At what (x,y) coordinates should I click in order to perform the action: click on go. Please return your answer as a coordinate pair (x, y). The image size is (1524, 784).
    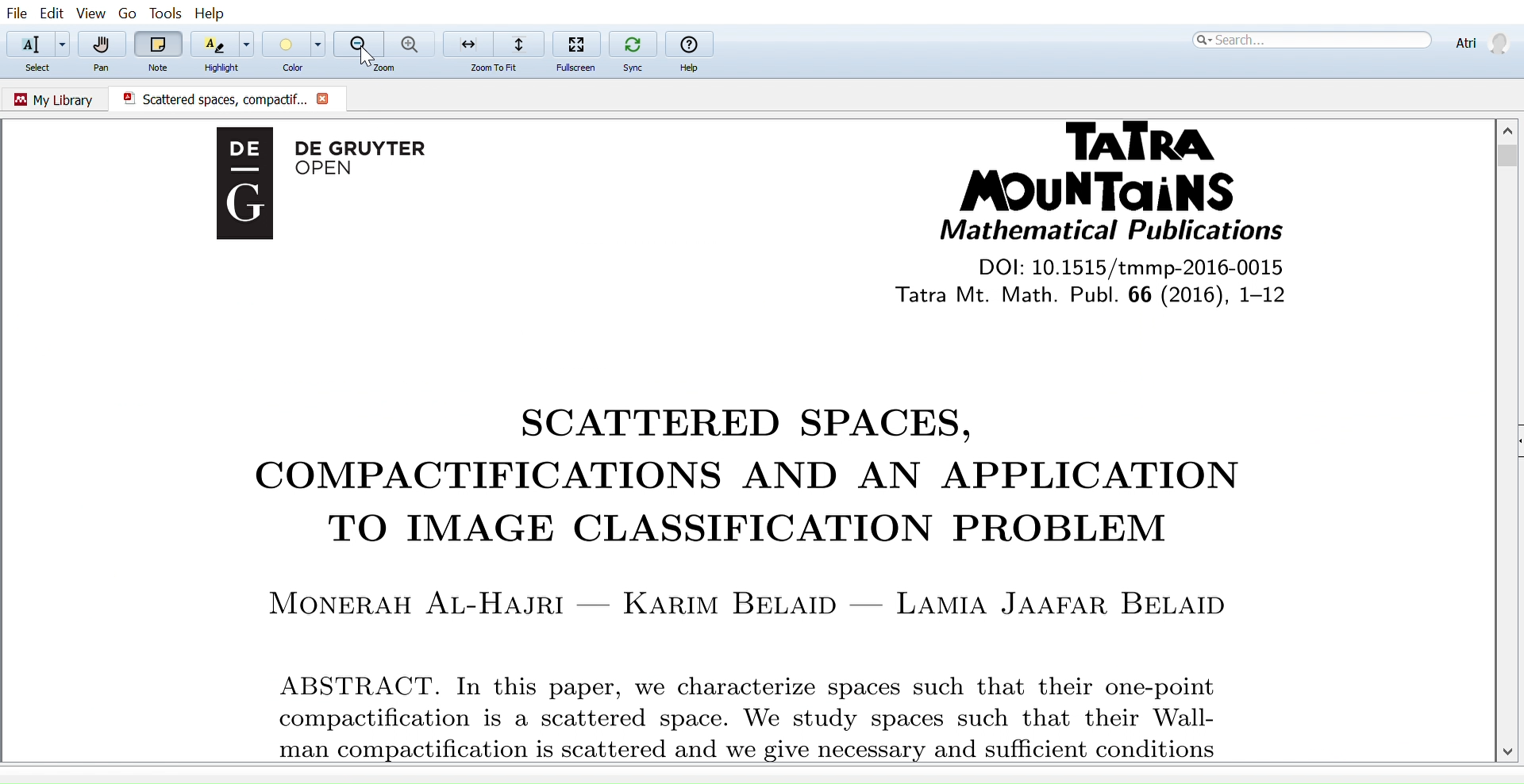
    Looking at the image, I should click on (128, 14).